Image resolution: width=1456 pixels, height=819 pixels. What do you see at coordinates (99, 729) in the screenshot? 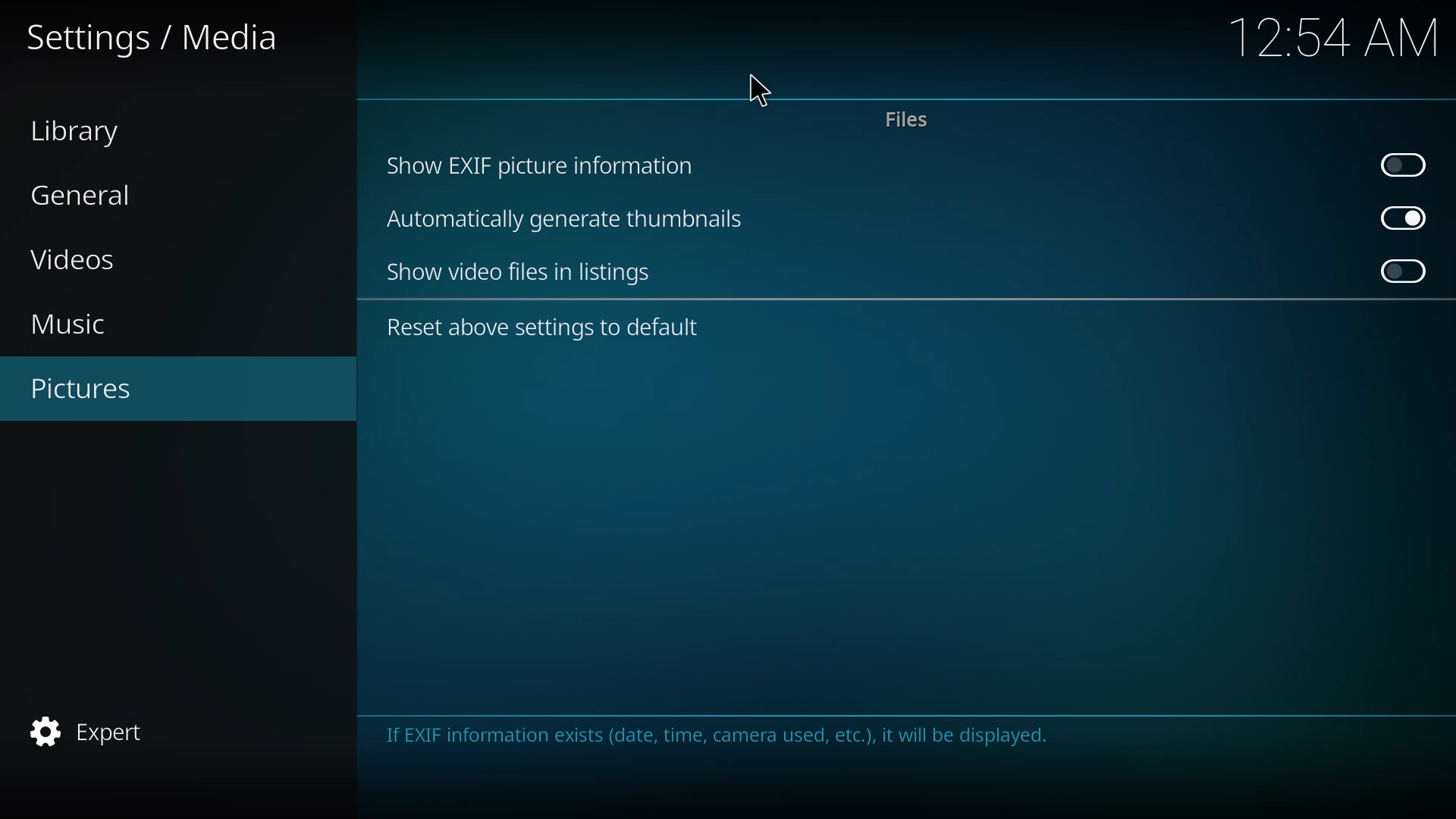
I see `expert` at bounding box center [99, 729].